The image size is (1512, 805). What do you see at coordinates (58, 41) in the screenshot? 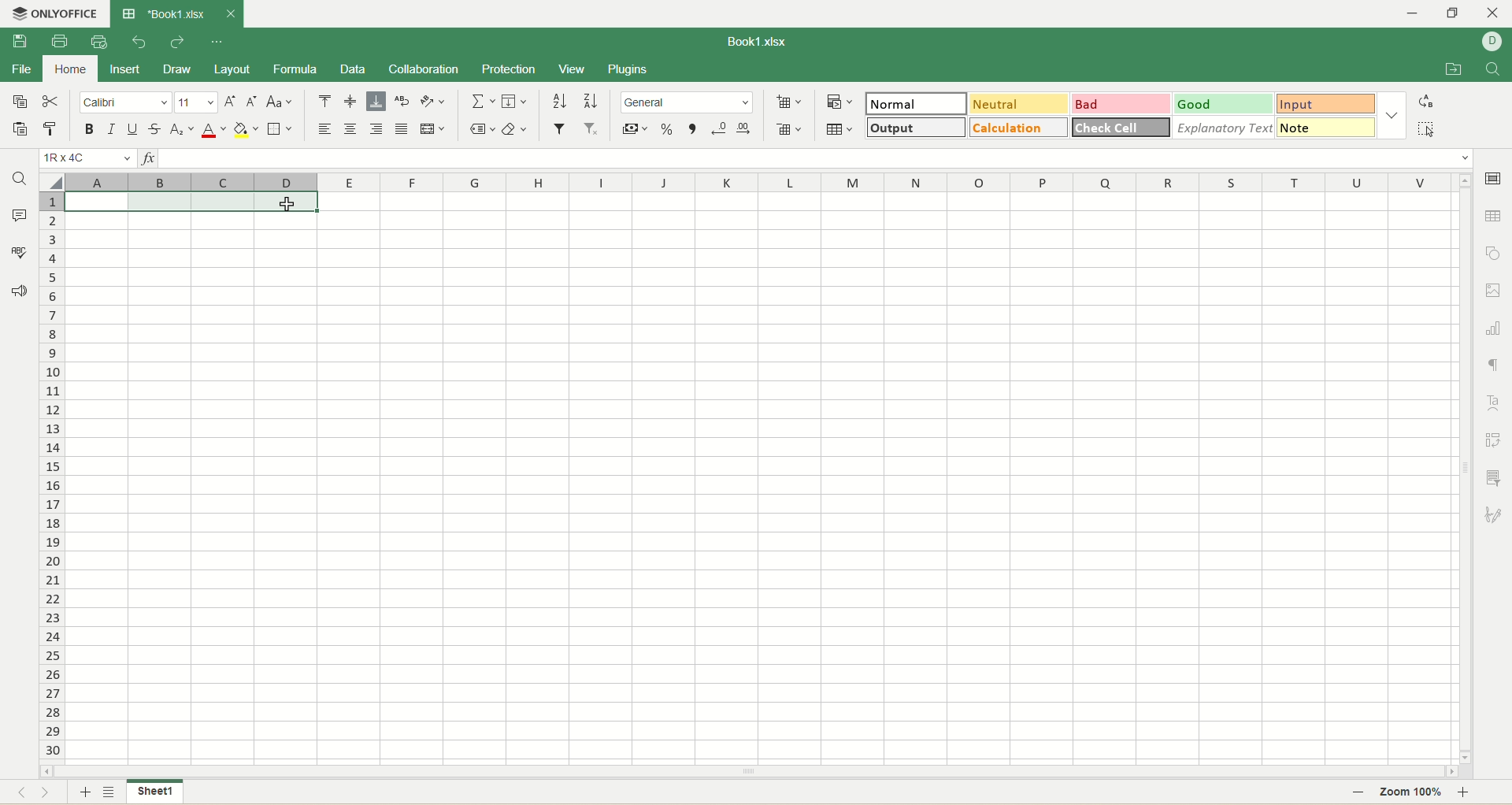
I see `print` at bounding box center [58, 41].